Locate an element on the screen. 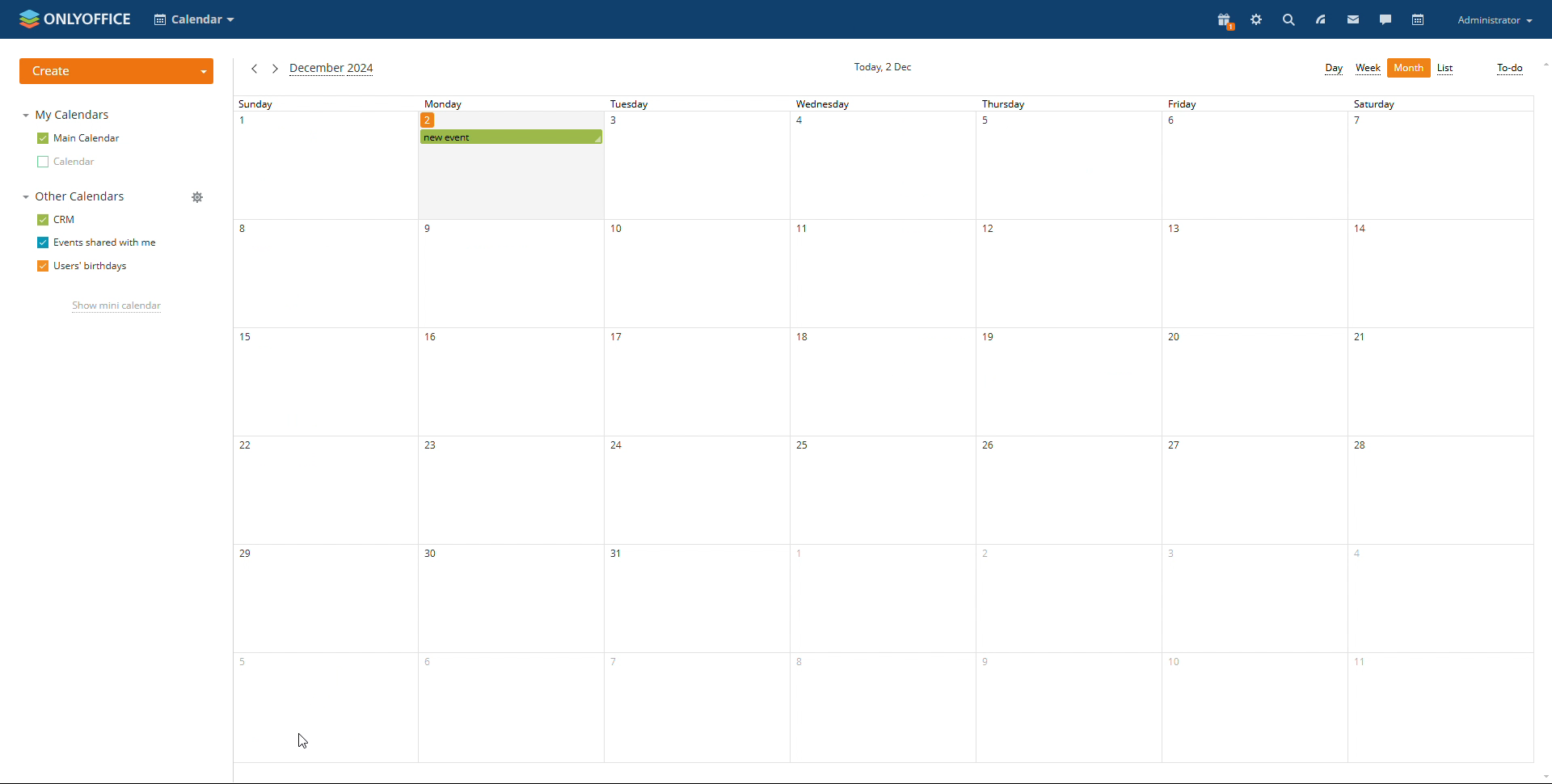  setting is located at coordinates (1256, 20).